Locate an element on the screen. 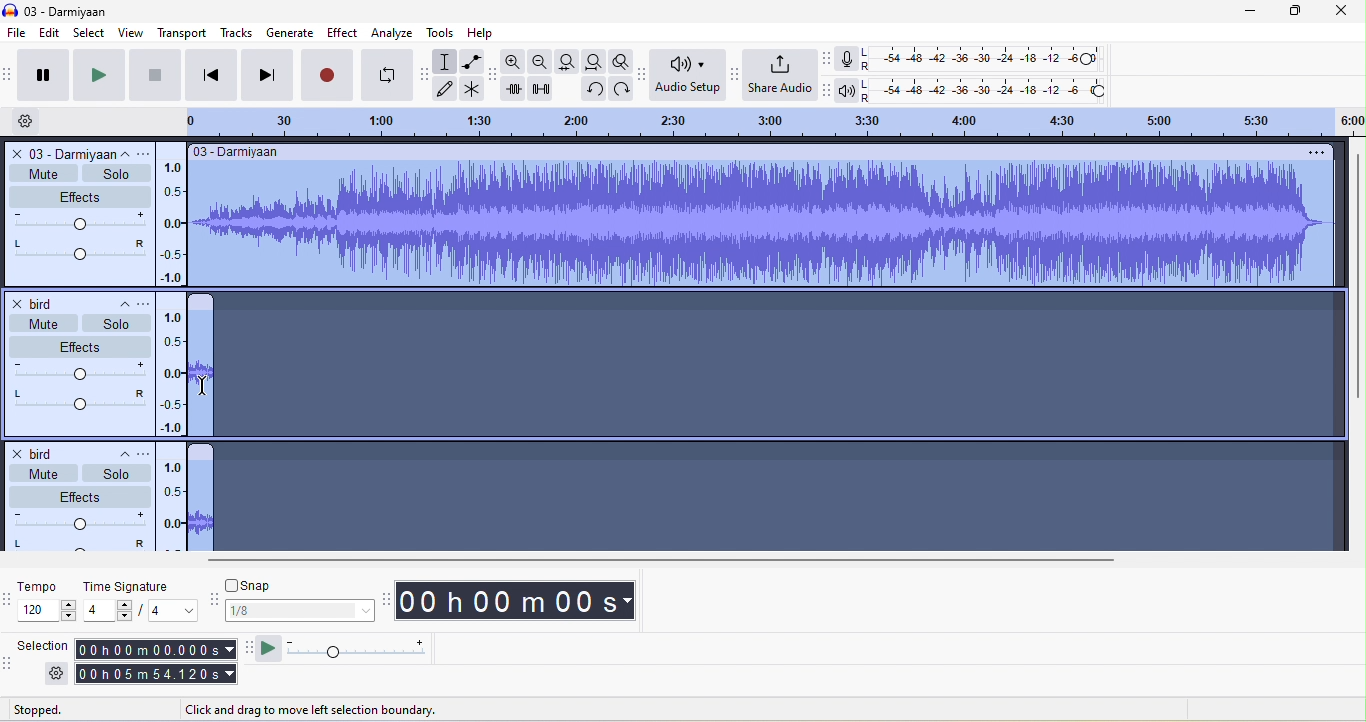  value is located at coordinates (110, 612).